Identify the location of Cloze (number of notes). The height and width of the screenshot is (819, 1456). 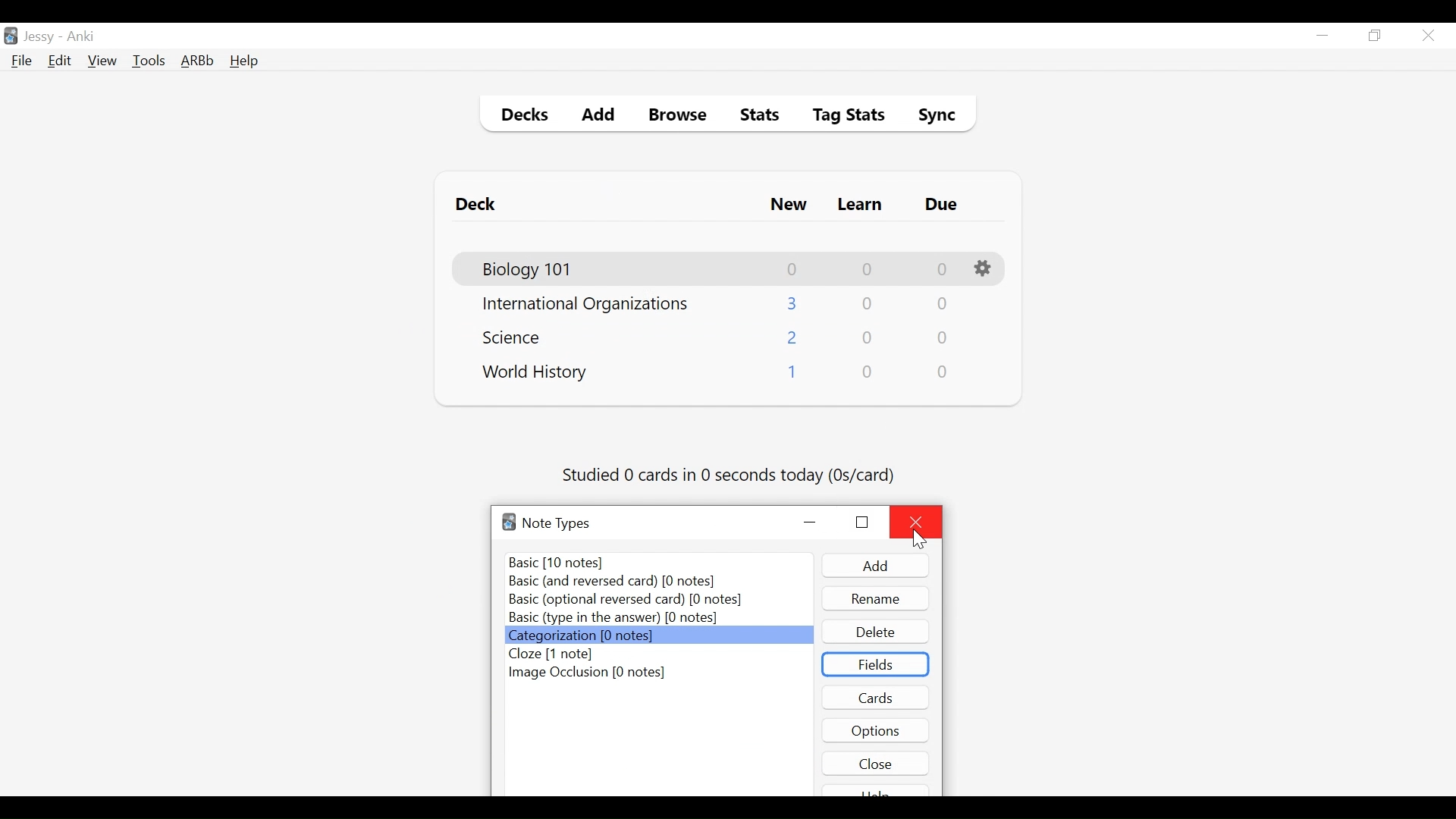
(567, 654).